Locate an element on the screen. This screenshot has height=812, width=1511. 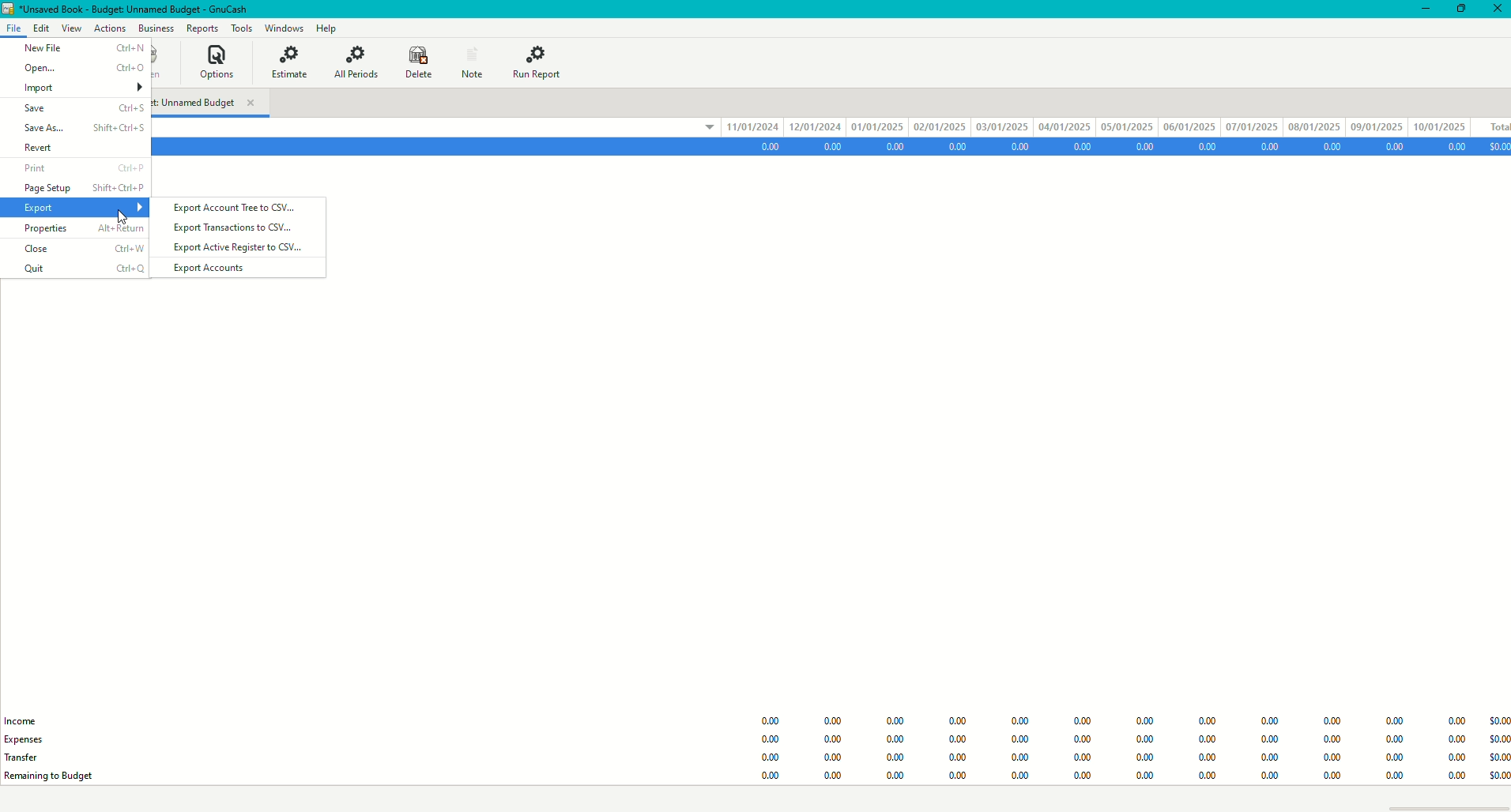
Close is located at coordinates (81, 249).